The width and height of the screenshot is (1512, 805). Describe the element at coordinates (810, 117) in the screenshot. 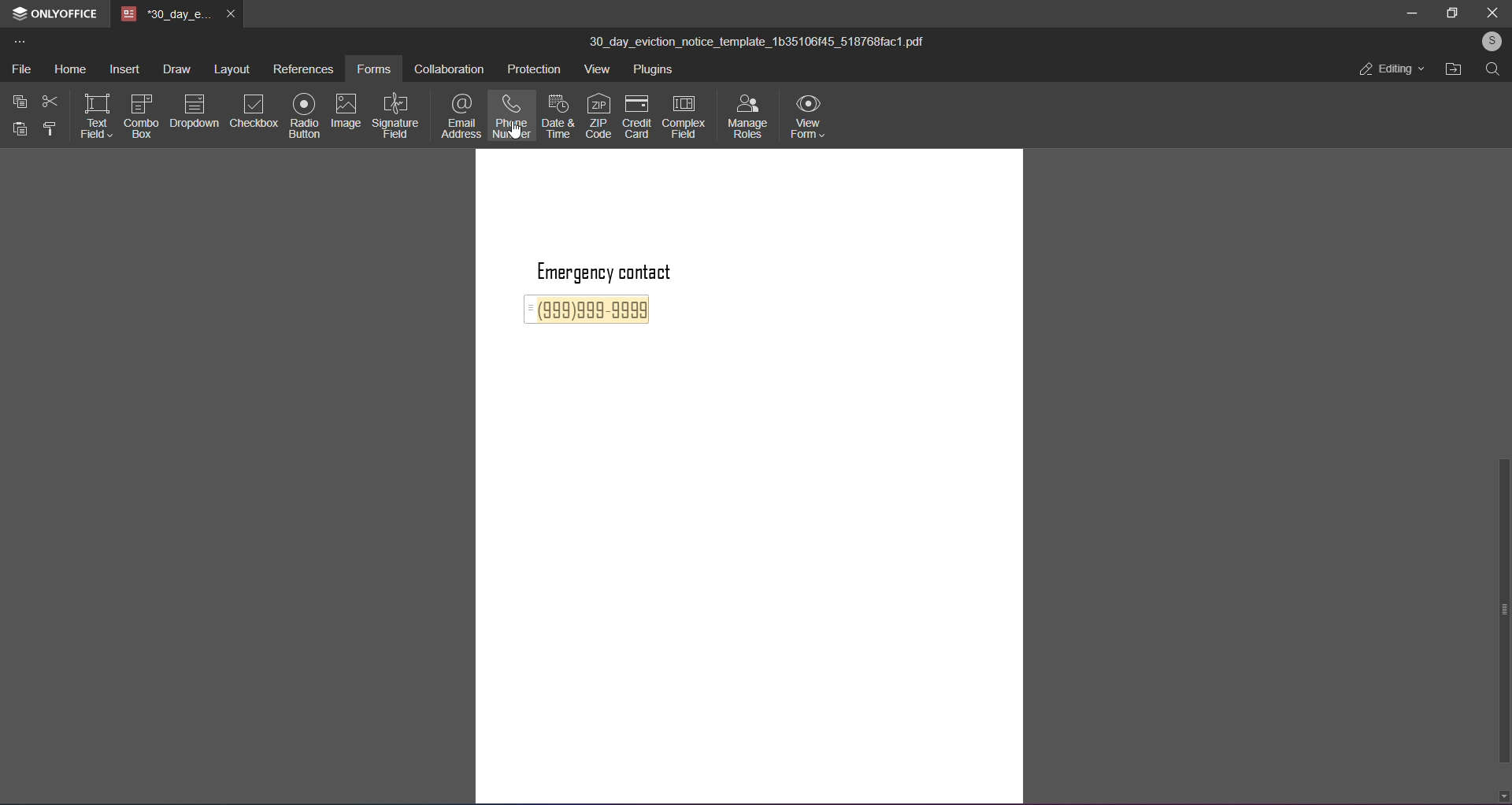

I see `view form` at that location.